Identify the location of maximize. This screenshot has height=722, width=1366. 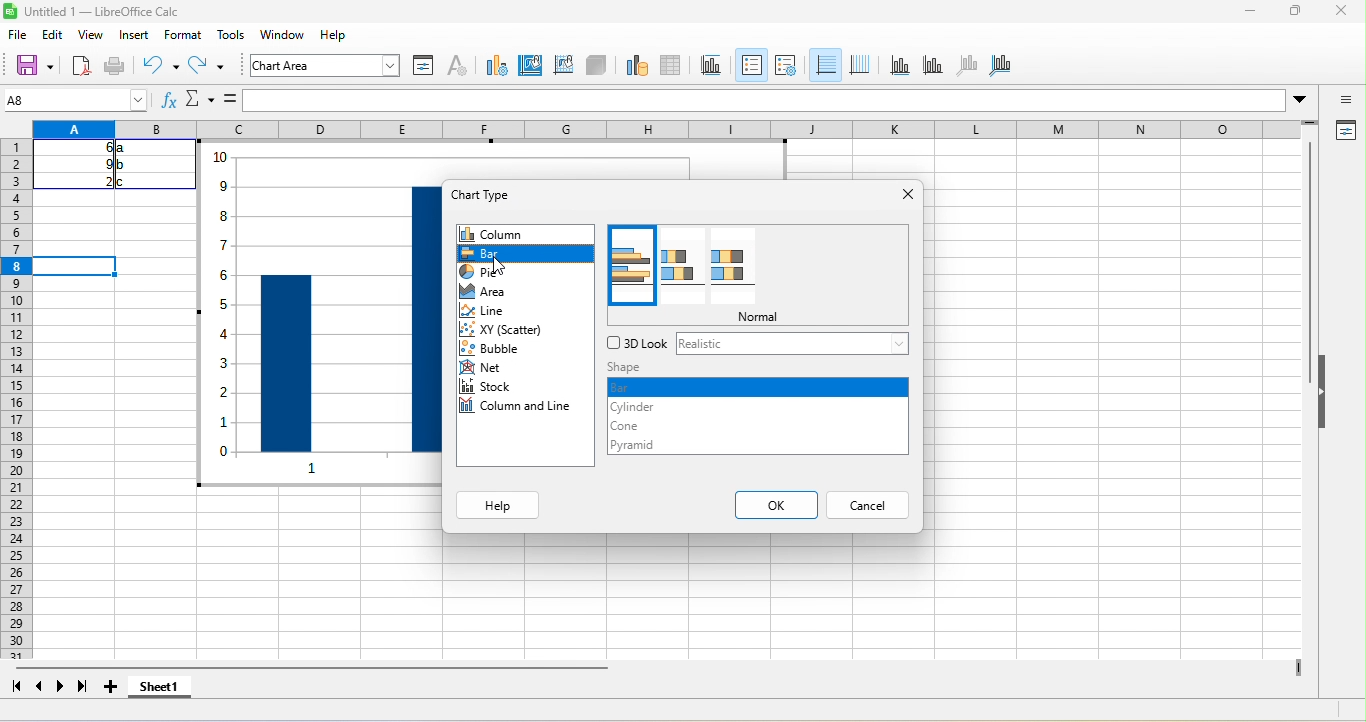
(1285, 14).